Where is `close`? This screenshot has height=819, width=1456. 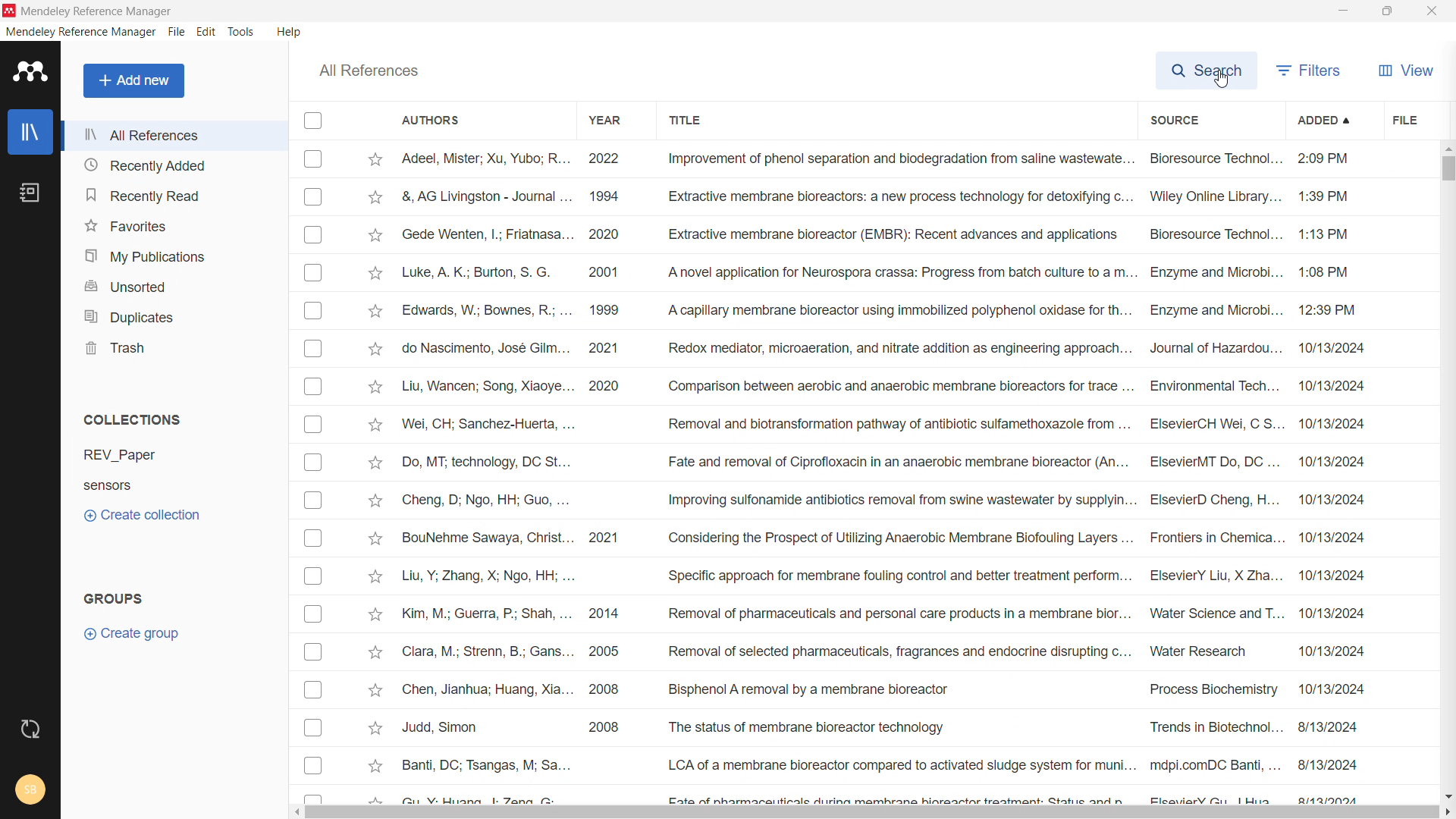 close is located at coordinates (1432, 11).